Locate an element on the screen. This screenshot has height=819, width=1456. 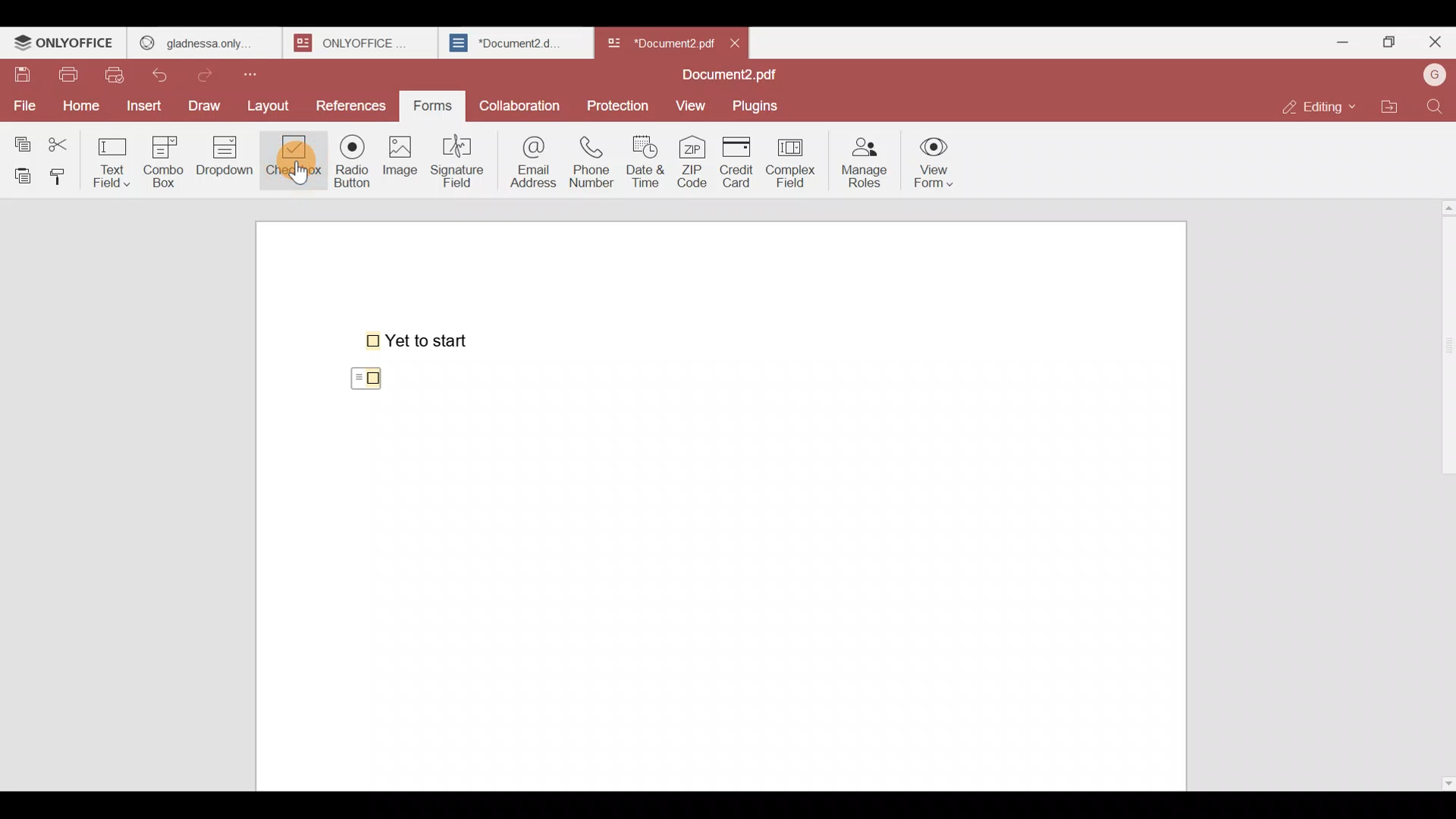
Print file is located at coordinates (71, 76).